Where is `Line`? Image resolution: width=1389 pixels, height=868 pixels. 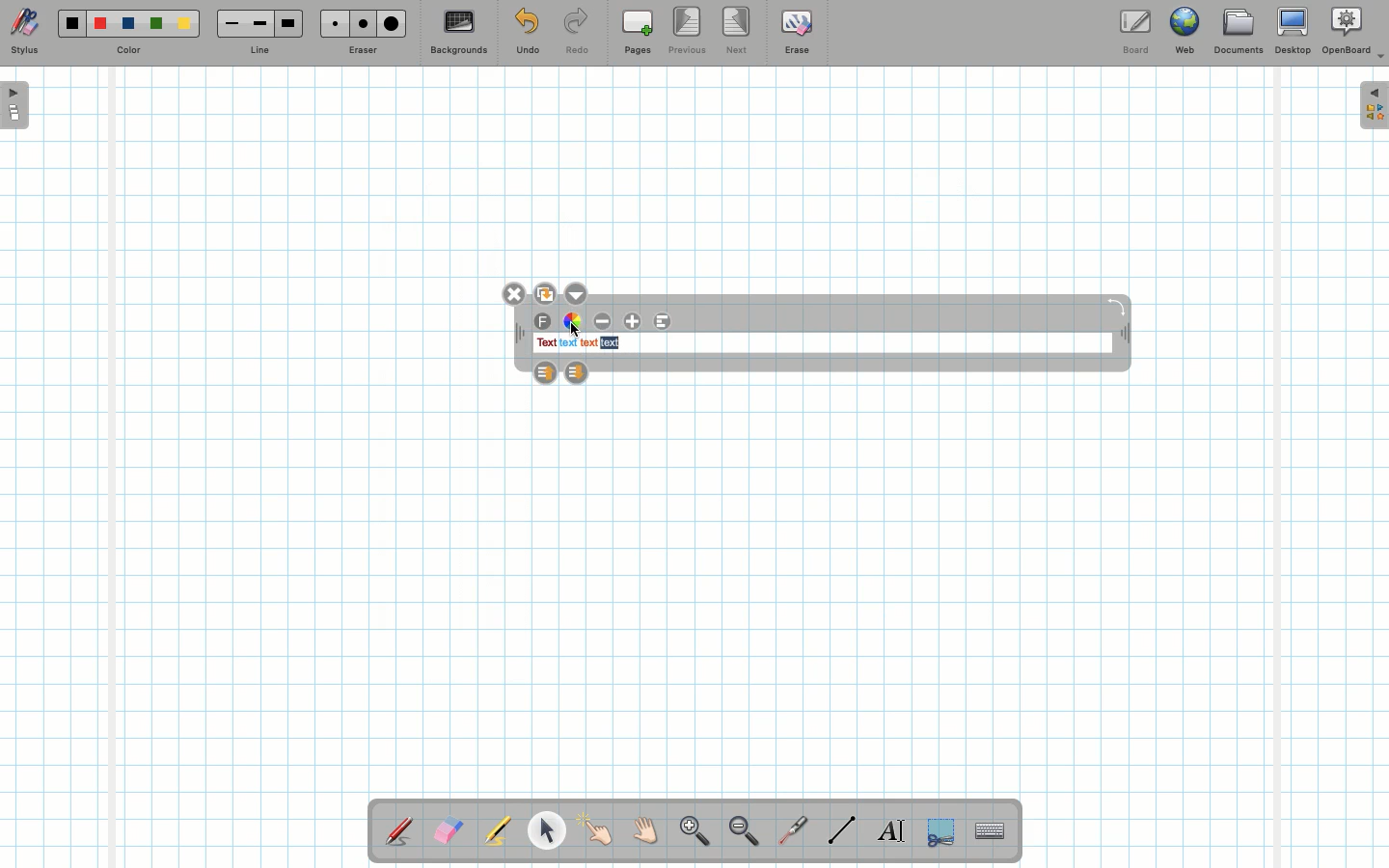
Line is located at coordinates (842, 829).